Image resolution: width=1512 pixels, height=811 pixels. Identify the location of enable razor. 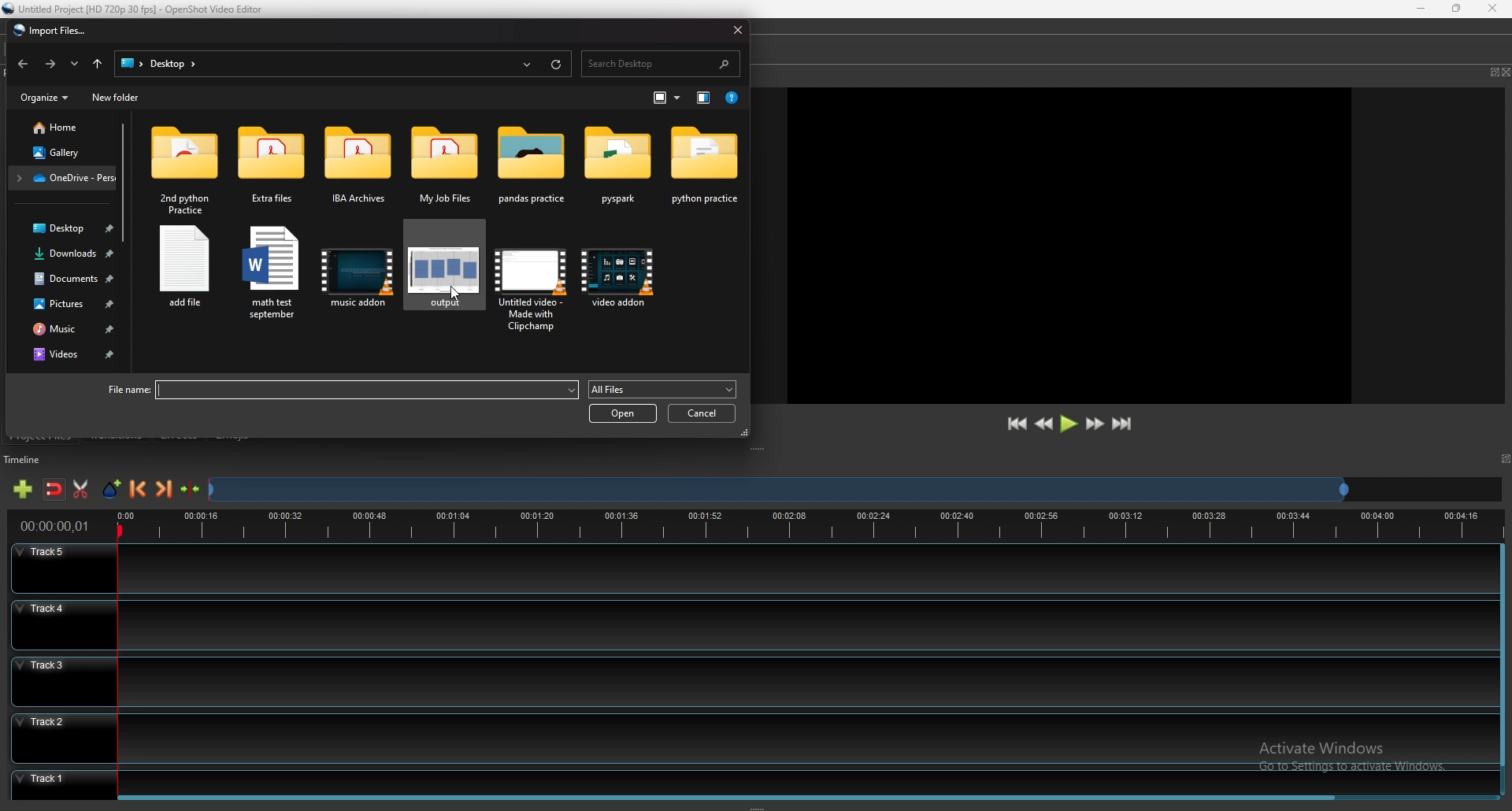
(80, 489).